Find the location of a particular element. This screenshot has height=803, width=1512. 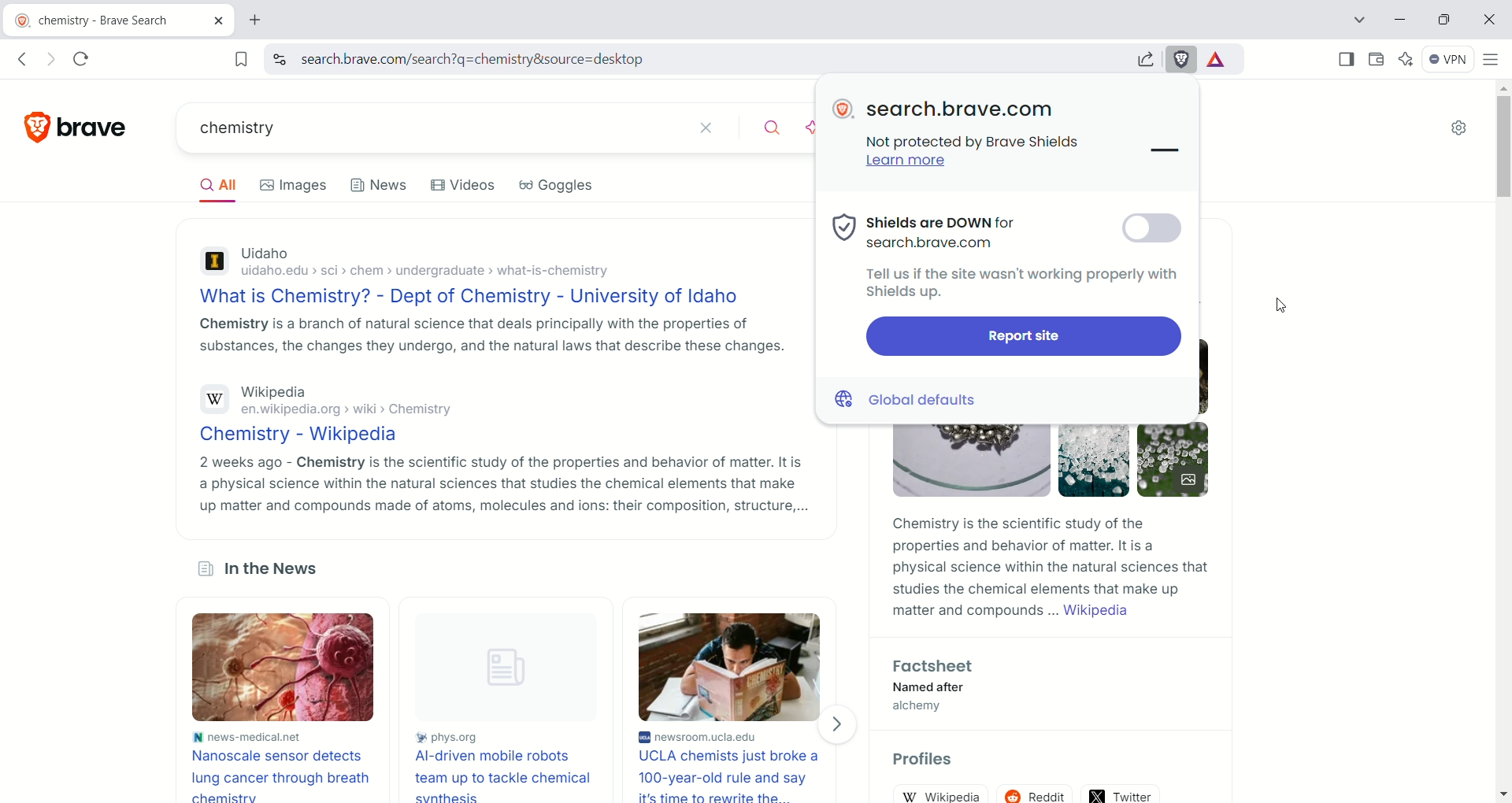

leo AI is located at coordinates (811, 128).